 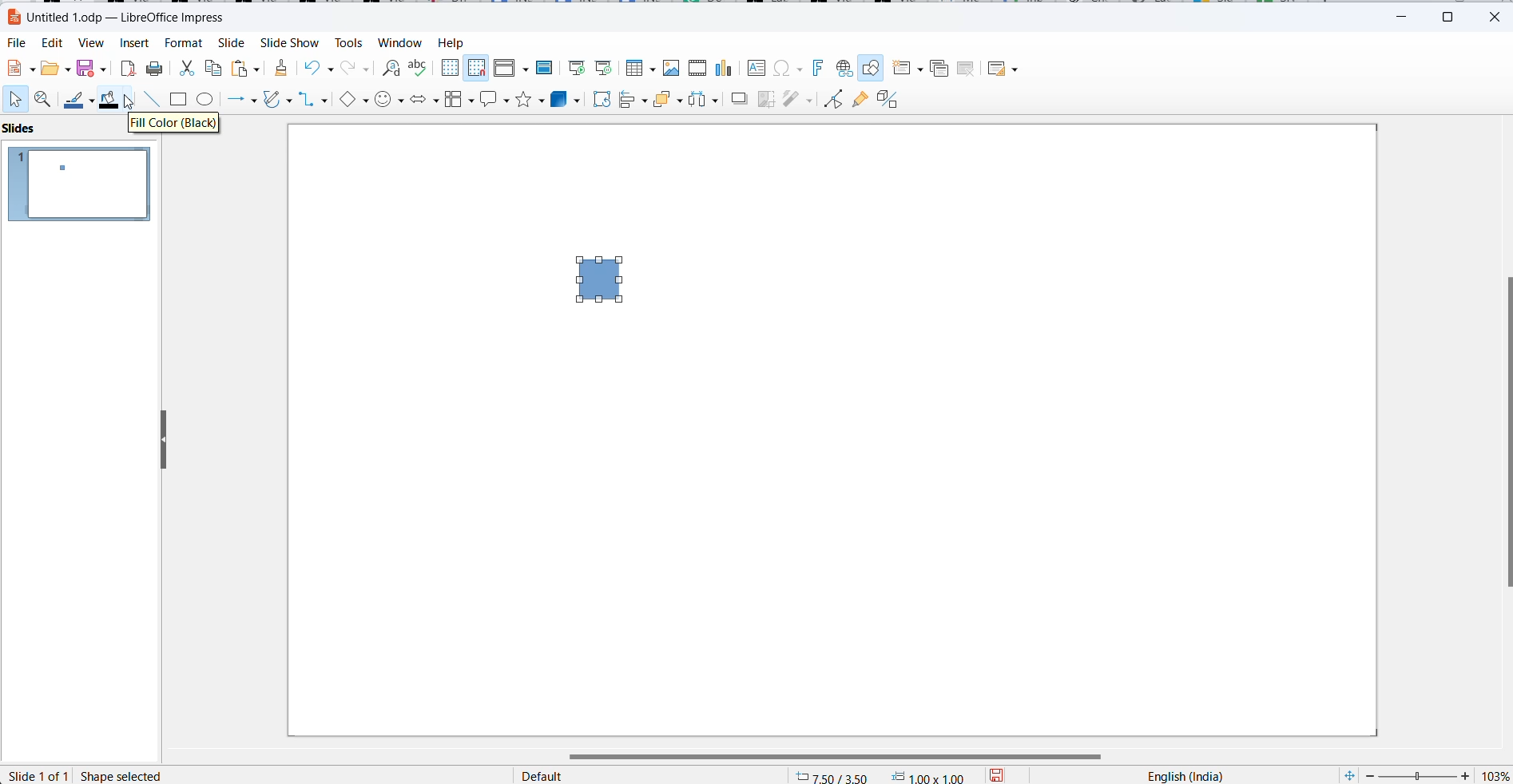 I want to click on Delete slide, so click(x=967, y=69).